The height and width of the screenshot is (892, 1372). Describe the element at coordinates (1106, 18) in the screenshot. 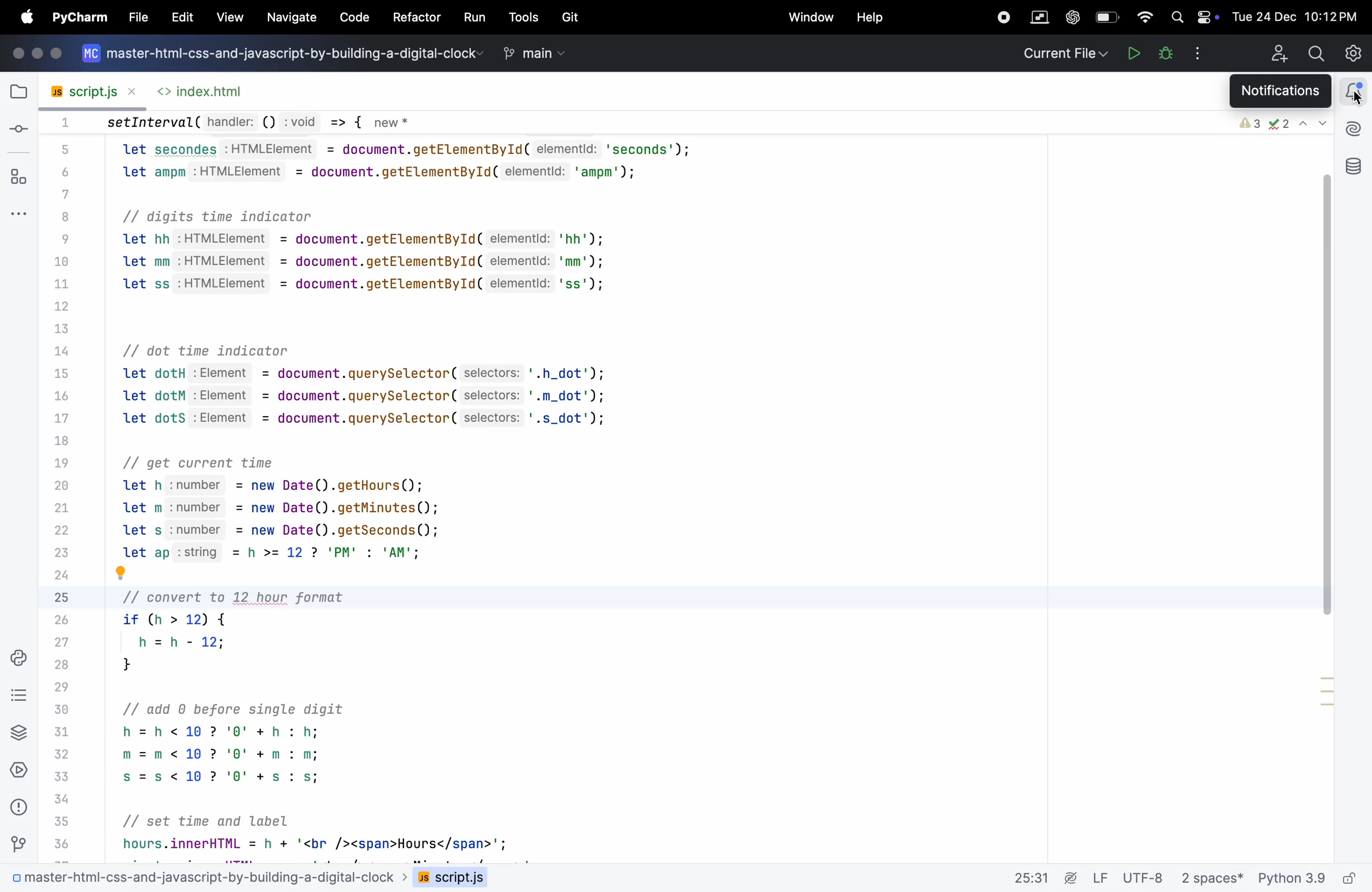

I see `battery` at that location.